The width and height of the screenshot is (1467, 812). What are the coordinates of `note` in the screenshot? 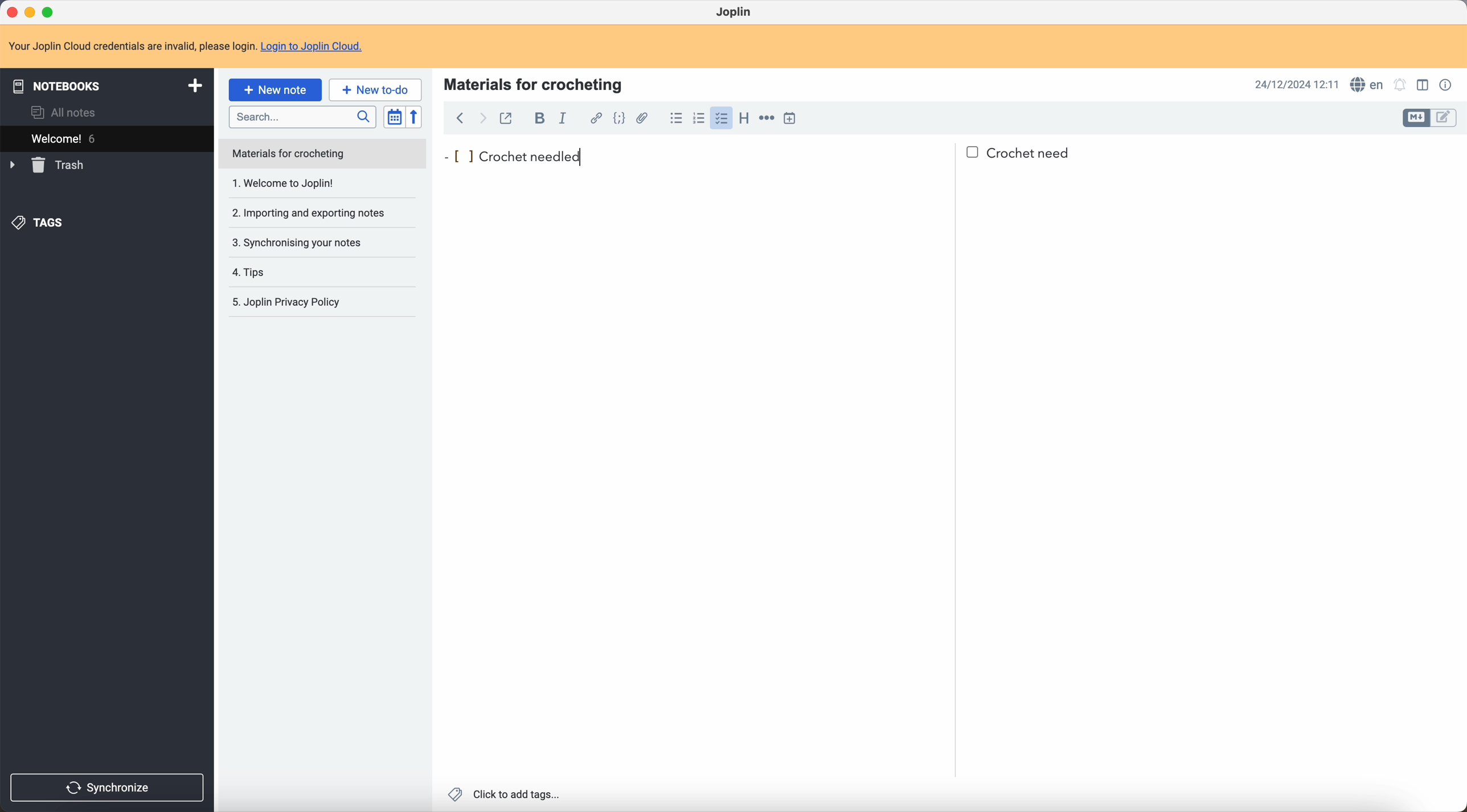 It's located at (186, 46).